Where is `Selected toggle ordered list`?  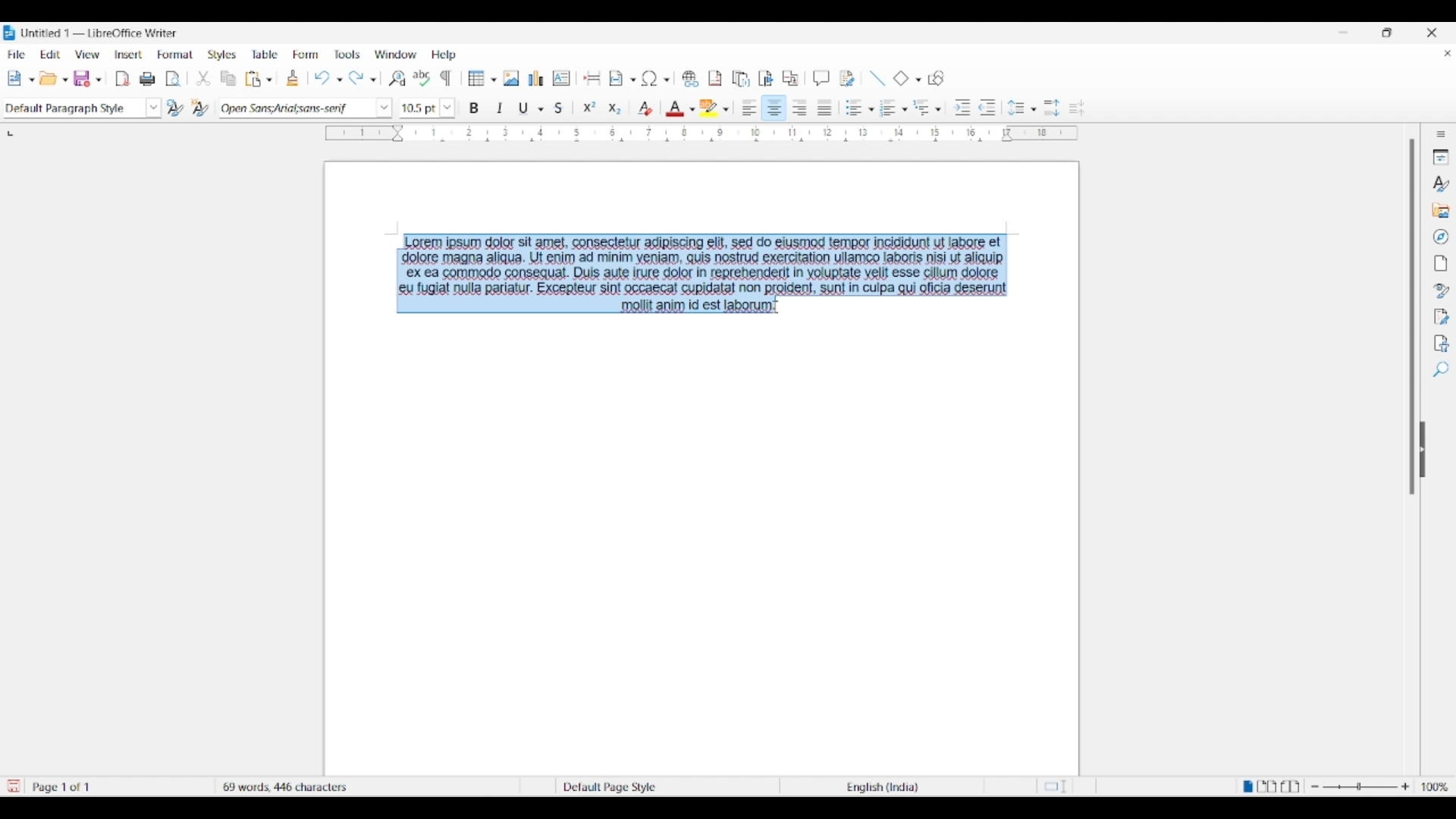
Selected toggle ordered list is located at coordinates (888, 107).